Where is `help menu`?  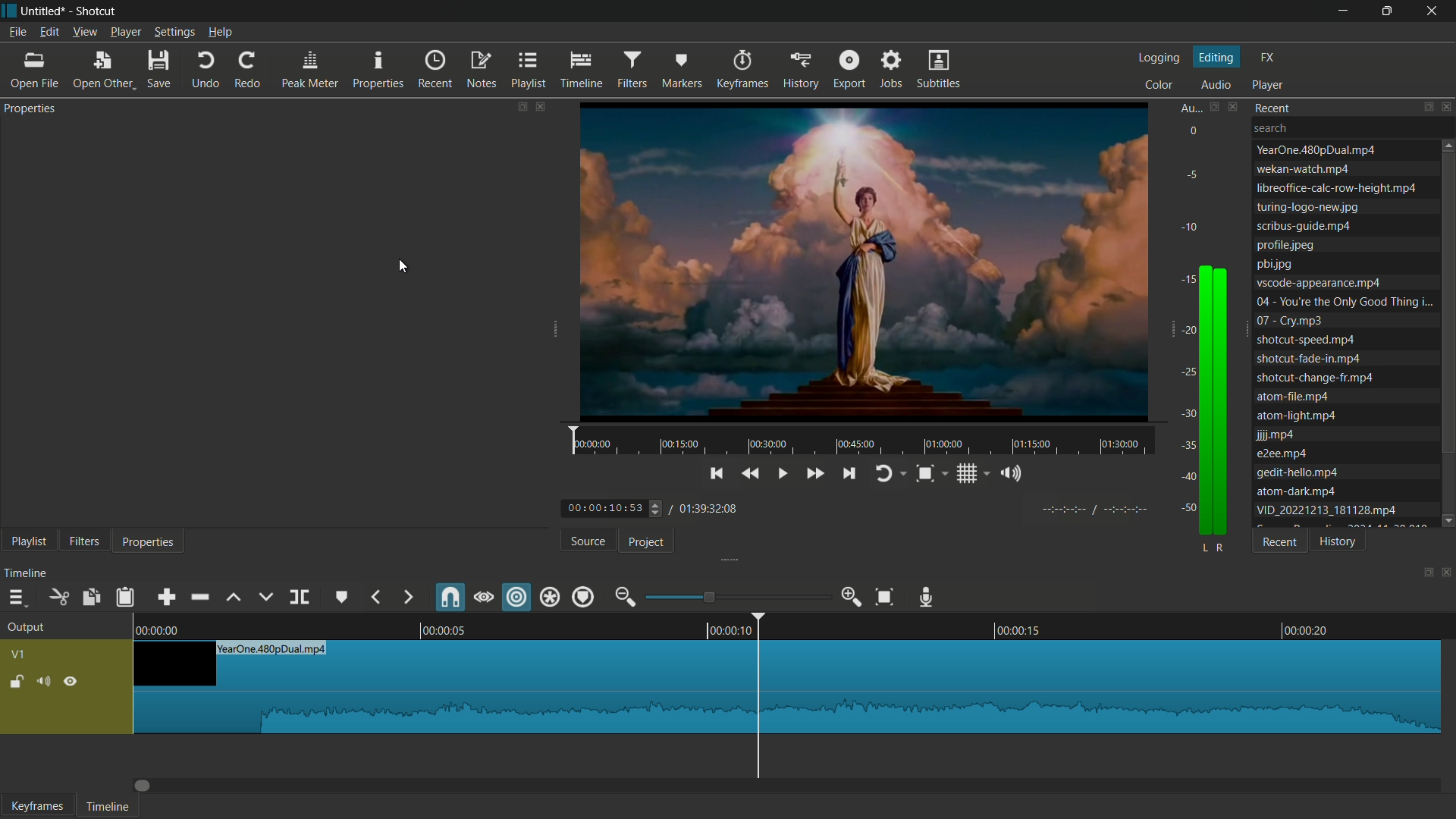 help menu is located at coordinates (220, 32).